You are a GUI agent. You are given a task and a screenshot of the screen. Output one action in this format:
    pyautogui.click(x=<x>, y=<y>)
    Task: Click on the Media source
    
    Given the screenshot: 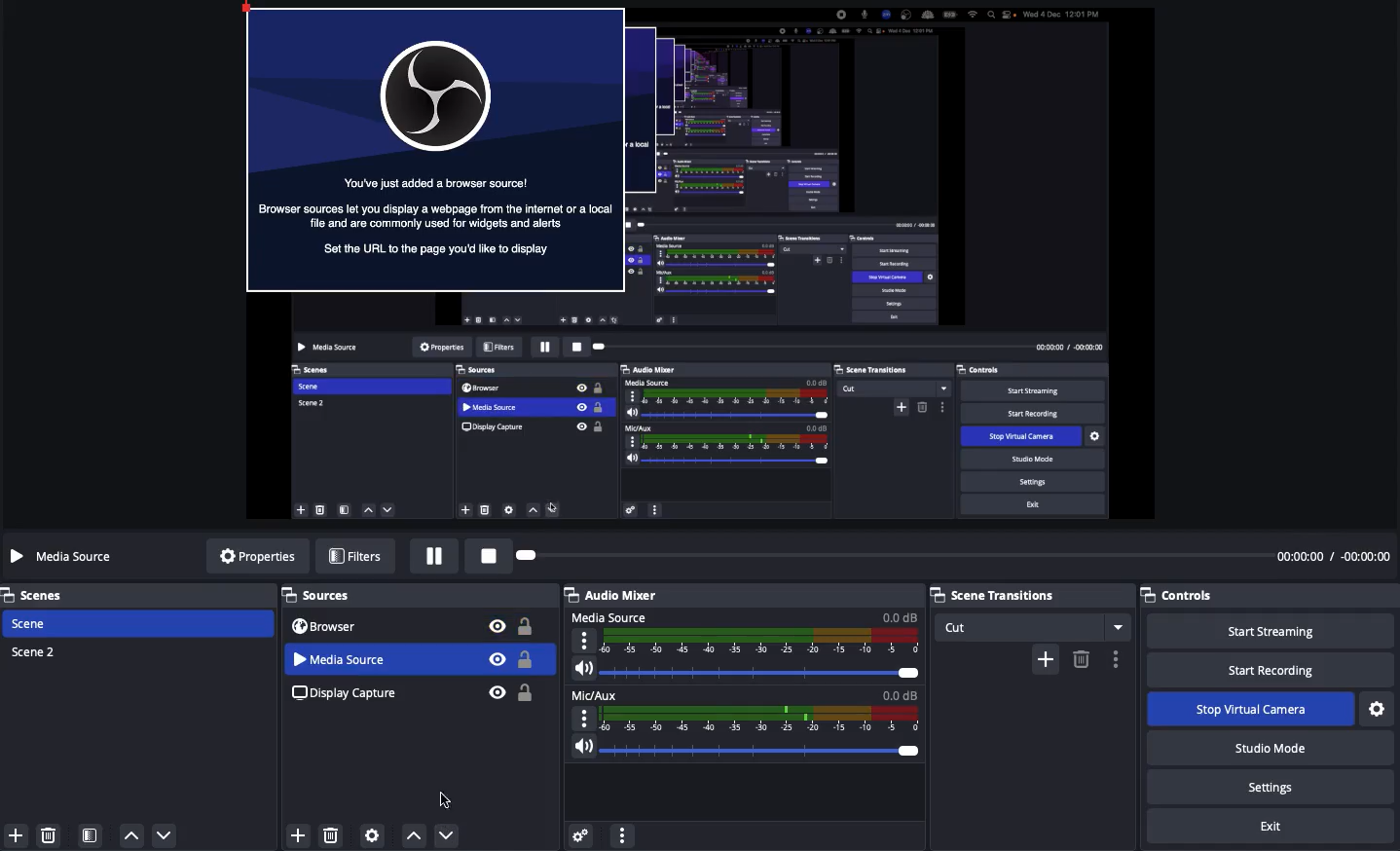 What is the action you would take?
    pyautogui.click(x=66, y=558)
    